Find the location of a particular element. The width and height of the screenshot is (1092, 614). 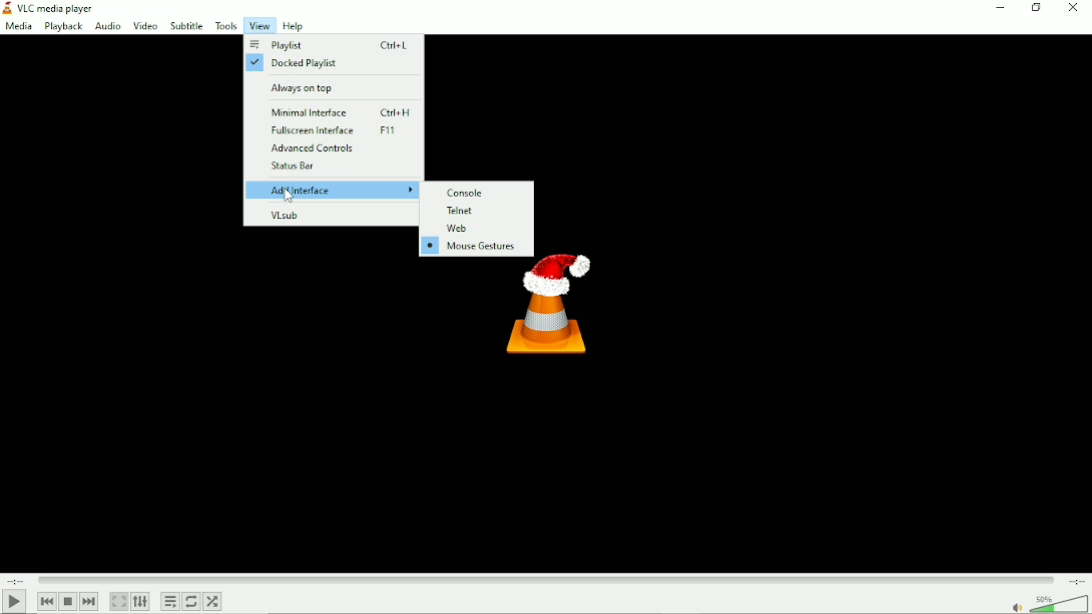

View is located at coordinates (258, 26).